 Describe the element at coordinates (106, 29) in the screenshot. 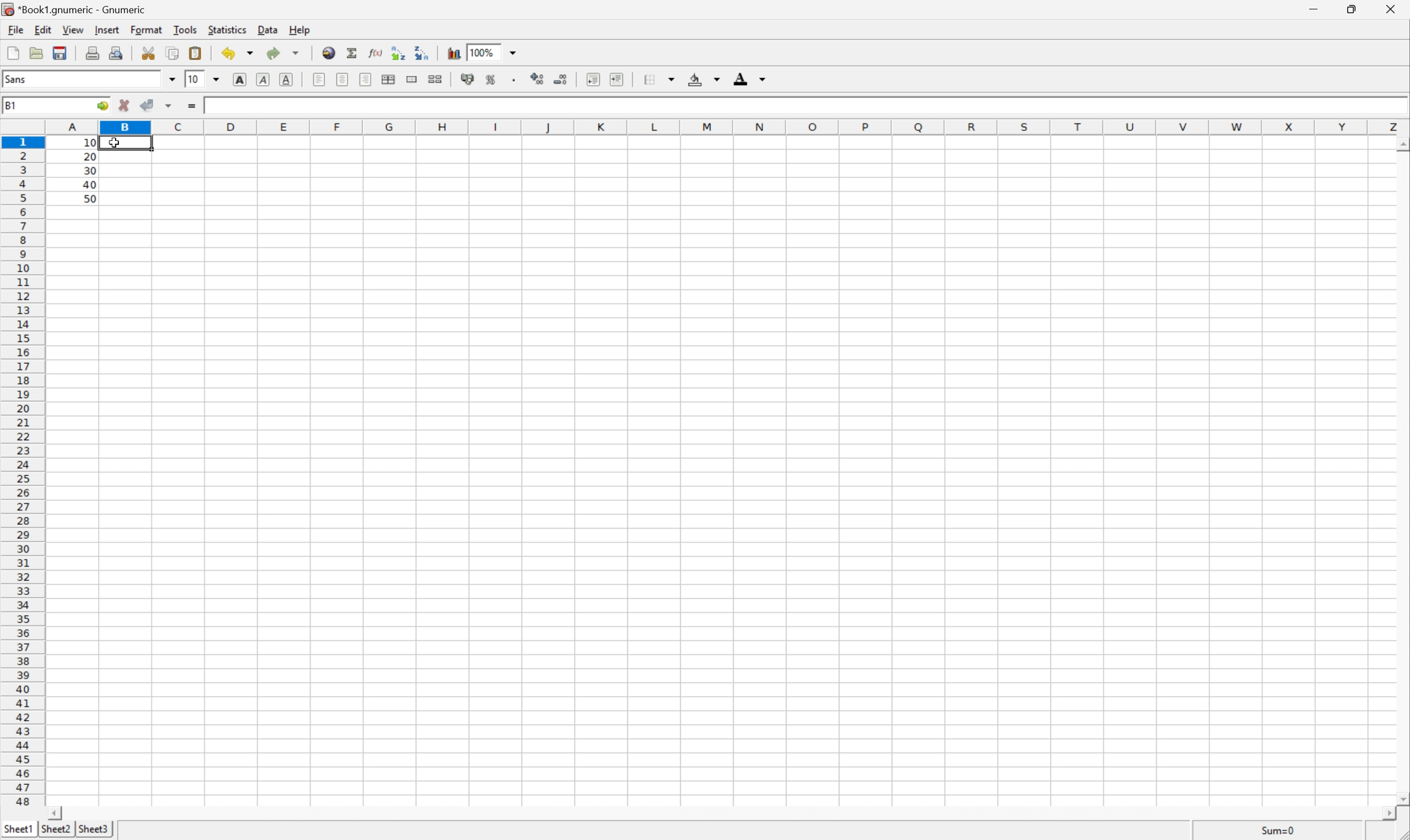

I see `Insert` at that location.